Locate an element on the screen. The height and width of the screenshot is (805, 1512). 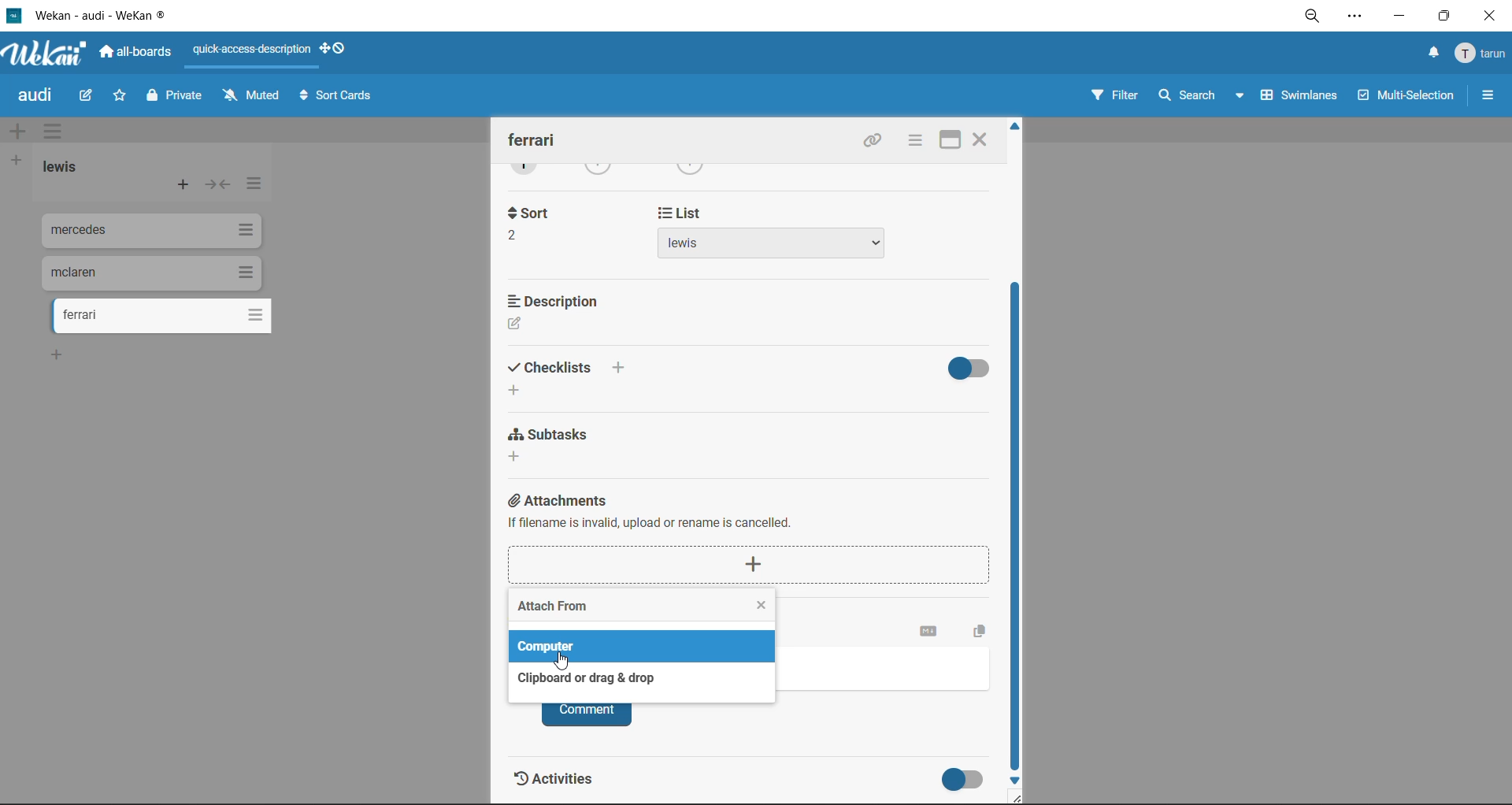
minimize is located at coordinates (1398, 17).